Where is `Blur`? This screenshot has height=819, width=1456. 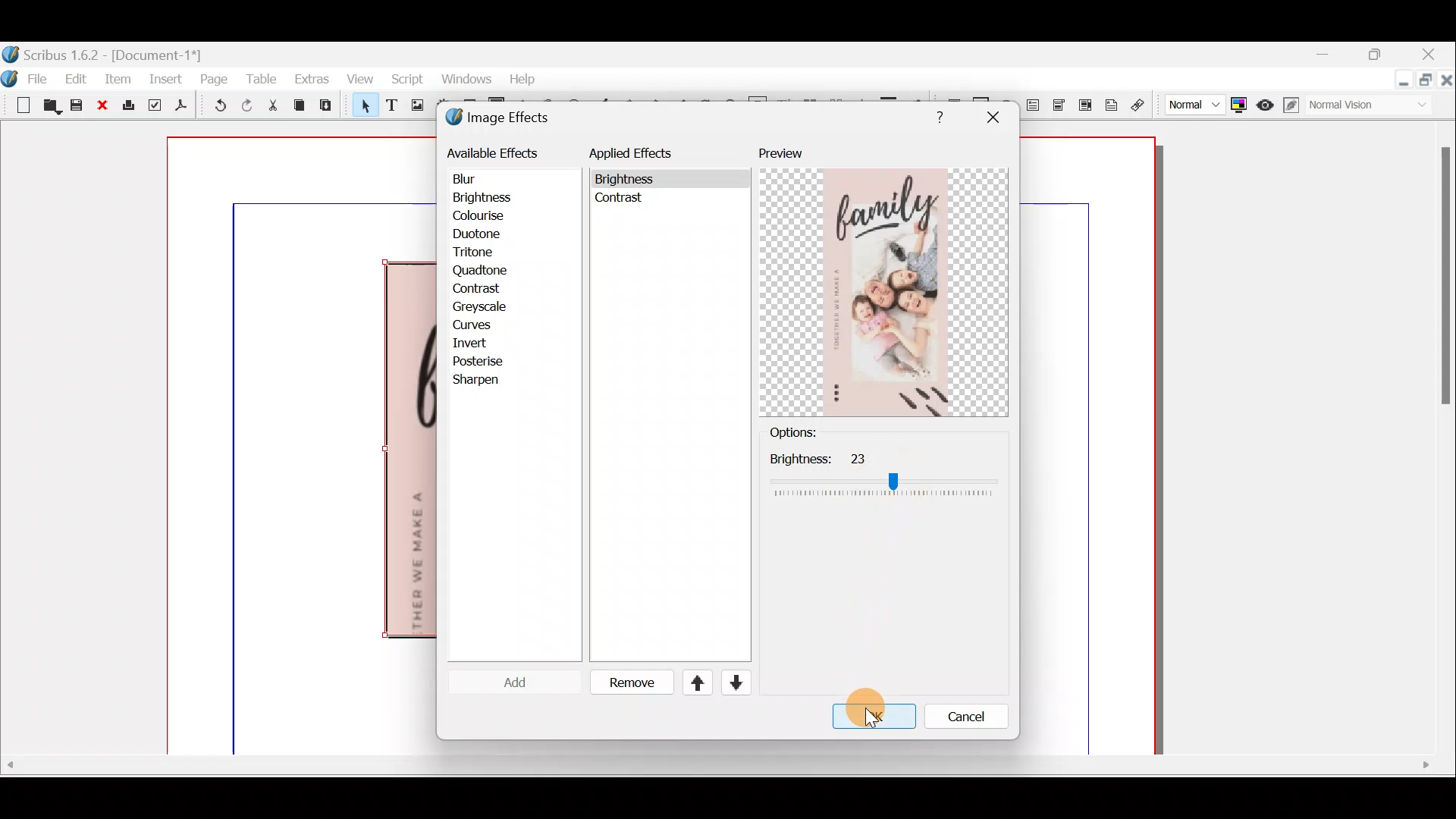
Blur is located at coordinates (479, 180).